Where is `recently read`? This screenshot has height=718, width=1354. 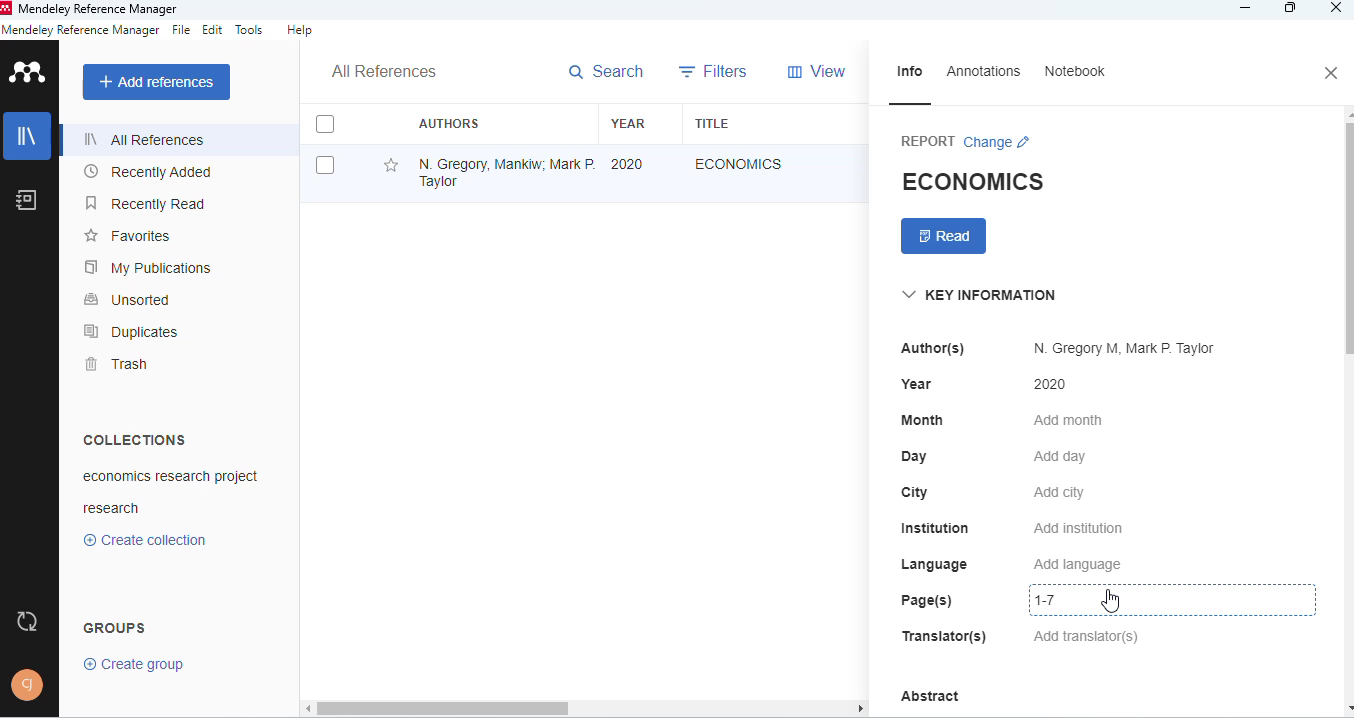 recently read is located at coordinates (146, 203).